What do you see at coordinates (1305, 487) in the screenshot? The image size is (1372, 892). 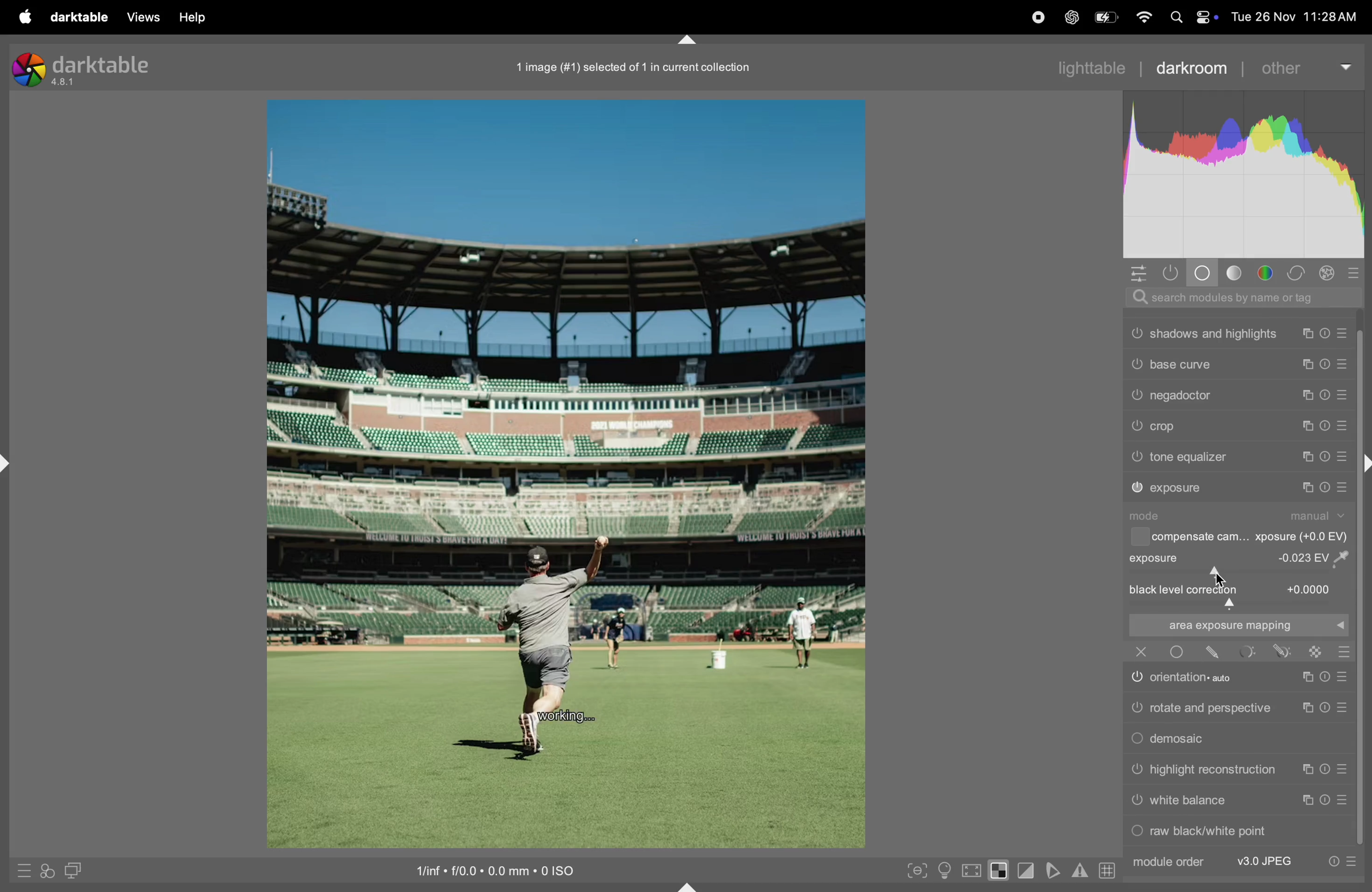 I see `copy` at bounding box center [1305, 487].